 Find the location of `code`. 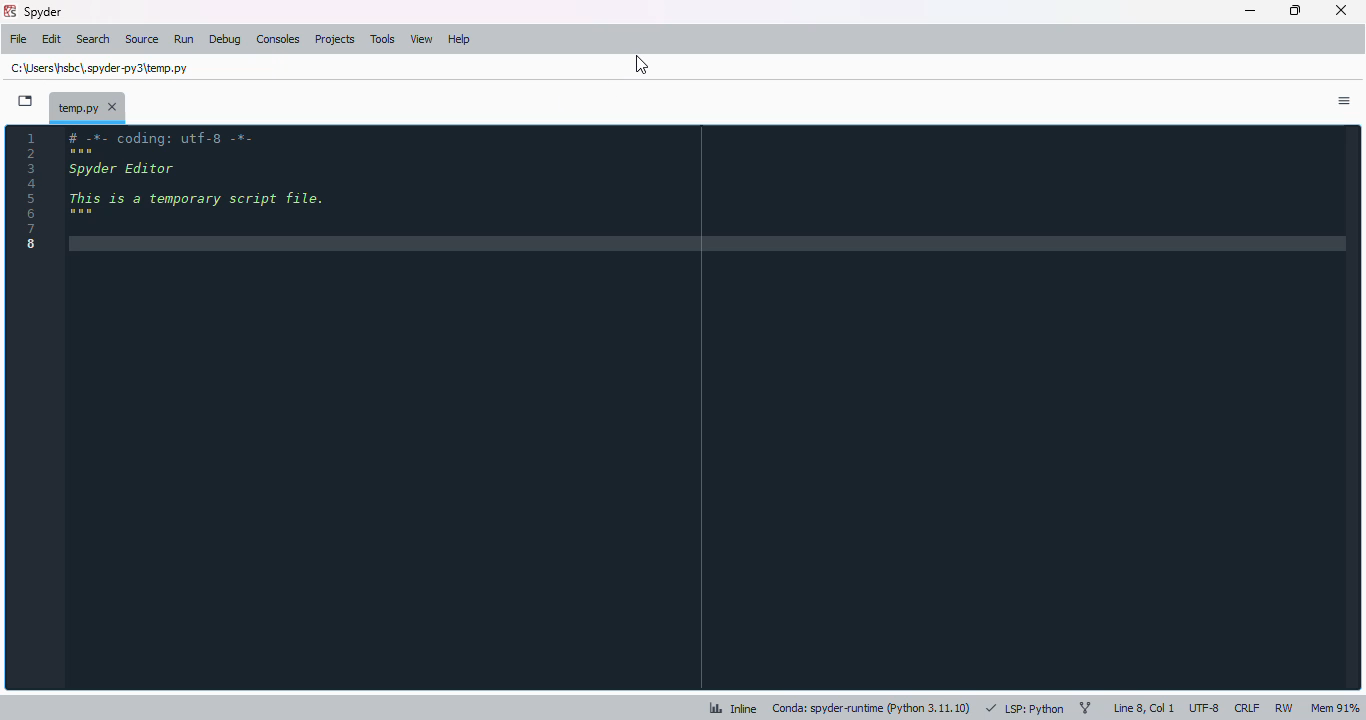

code is located at coordinates (205, 192).